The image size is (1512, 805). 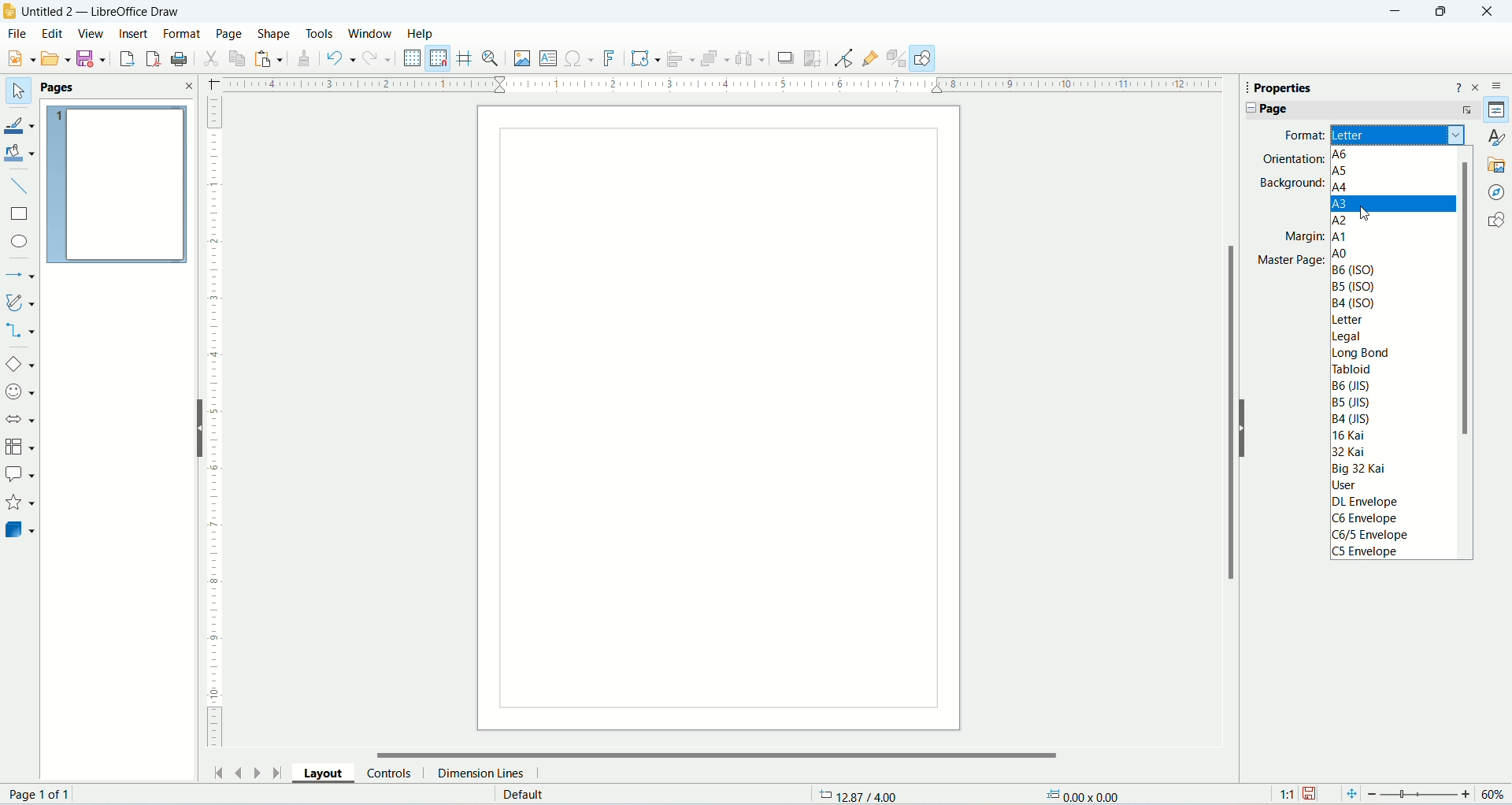 What do you see at coordinates (93, 59) in the screenshot?
I see `save` at bounding box center [93, 59].